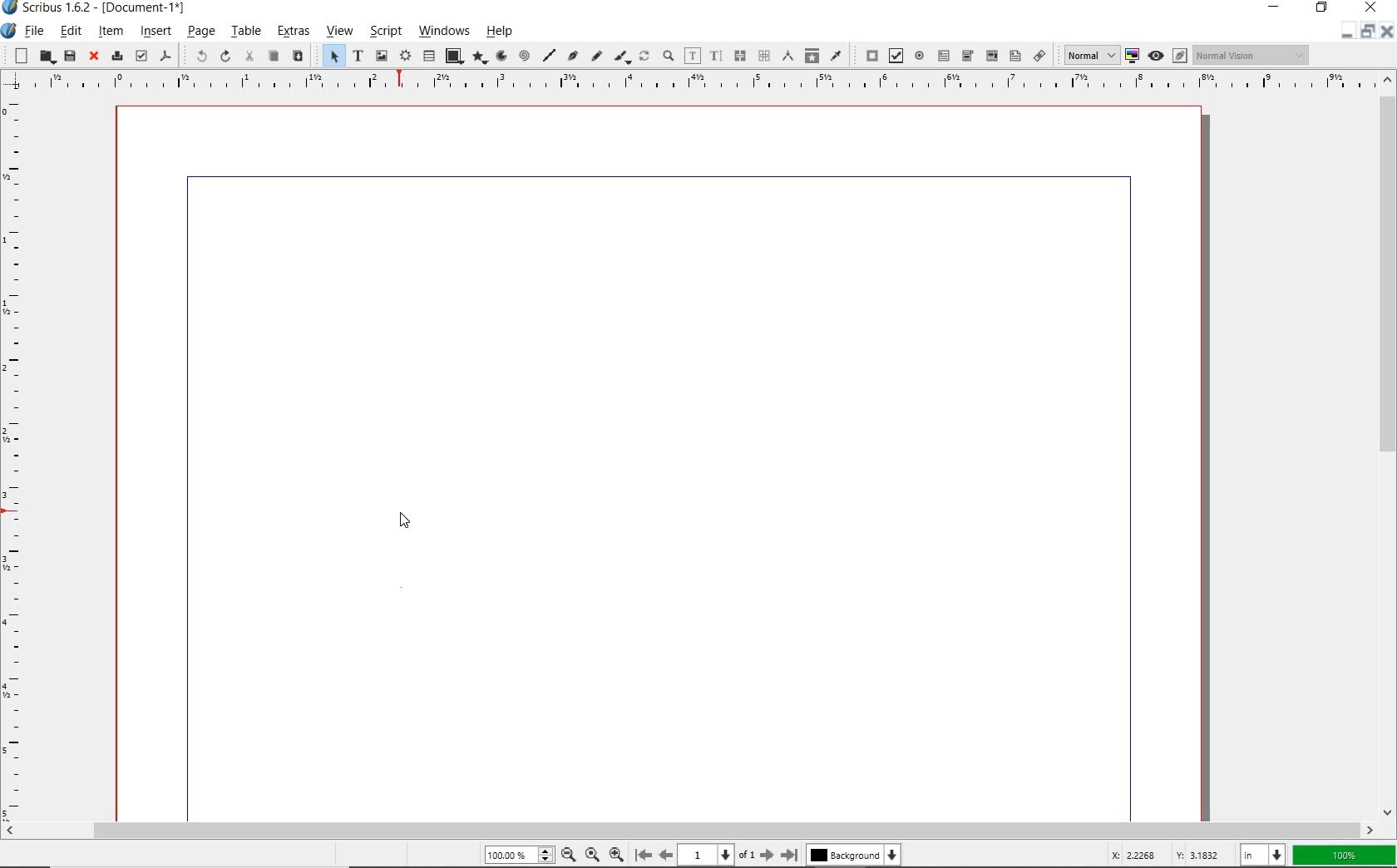 This screenshot has height=868, width=1397. What do you see at coordinates (516, 856) in the screenshot?
I see `100%` at bounding box center [516, 856].